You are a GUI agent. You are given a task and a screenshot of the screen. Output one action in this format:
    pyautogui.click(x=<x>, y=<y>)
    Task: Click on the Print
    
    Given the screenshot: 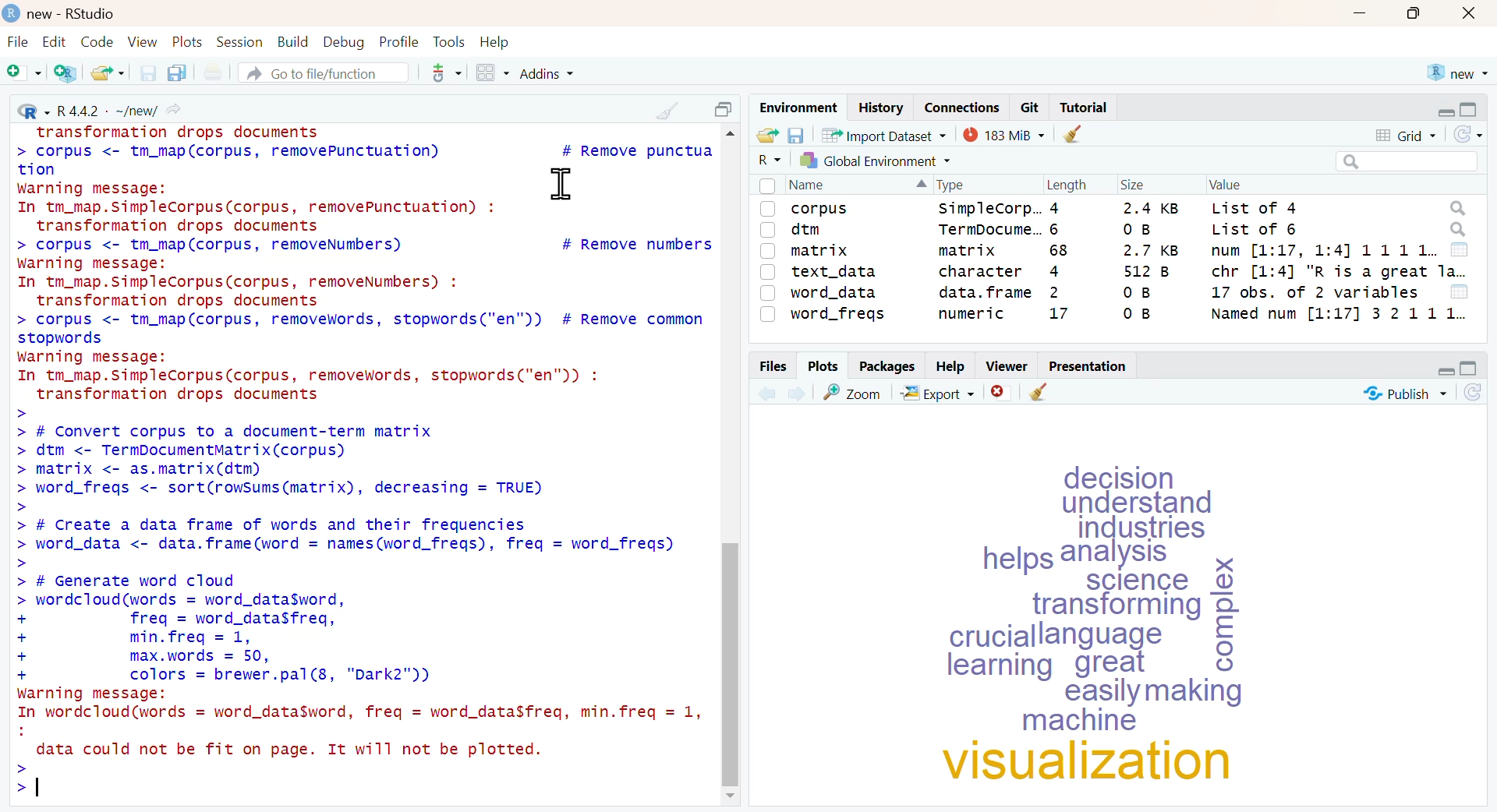 What is the action you would take?
    pyautogui.click(x=217, y=72)
    